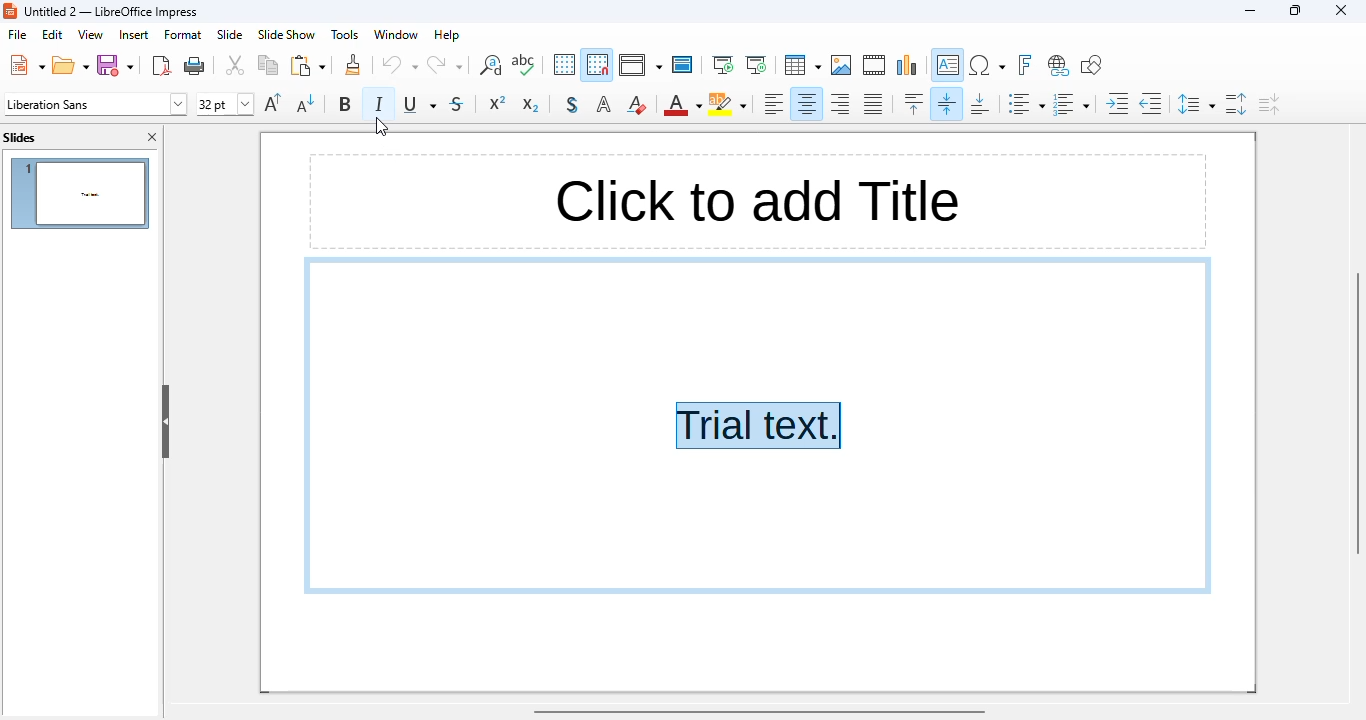  Describe the element at coordinates (1071, 104) in the screenshot. I see `toggle ordered list` at that location.